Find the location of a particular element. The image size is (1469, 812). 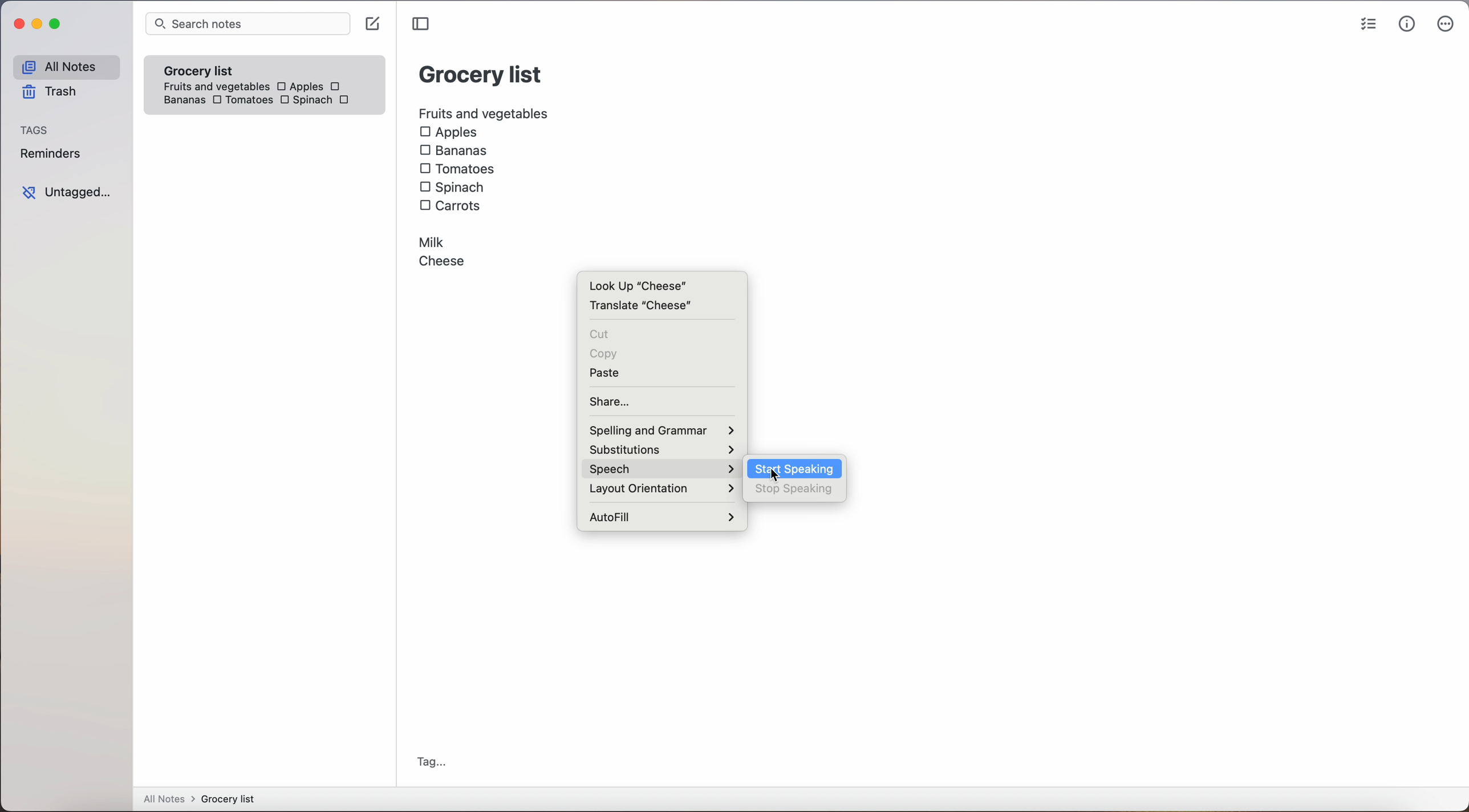

translate cheese is located at coordinates (643, 308).